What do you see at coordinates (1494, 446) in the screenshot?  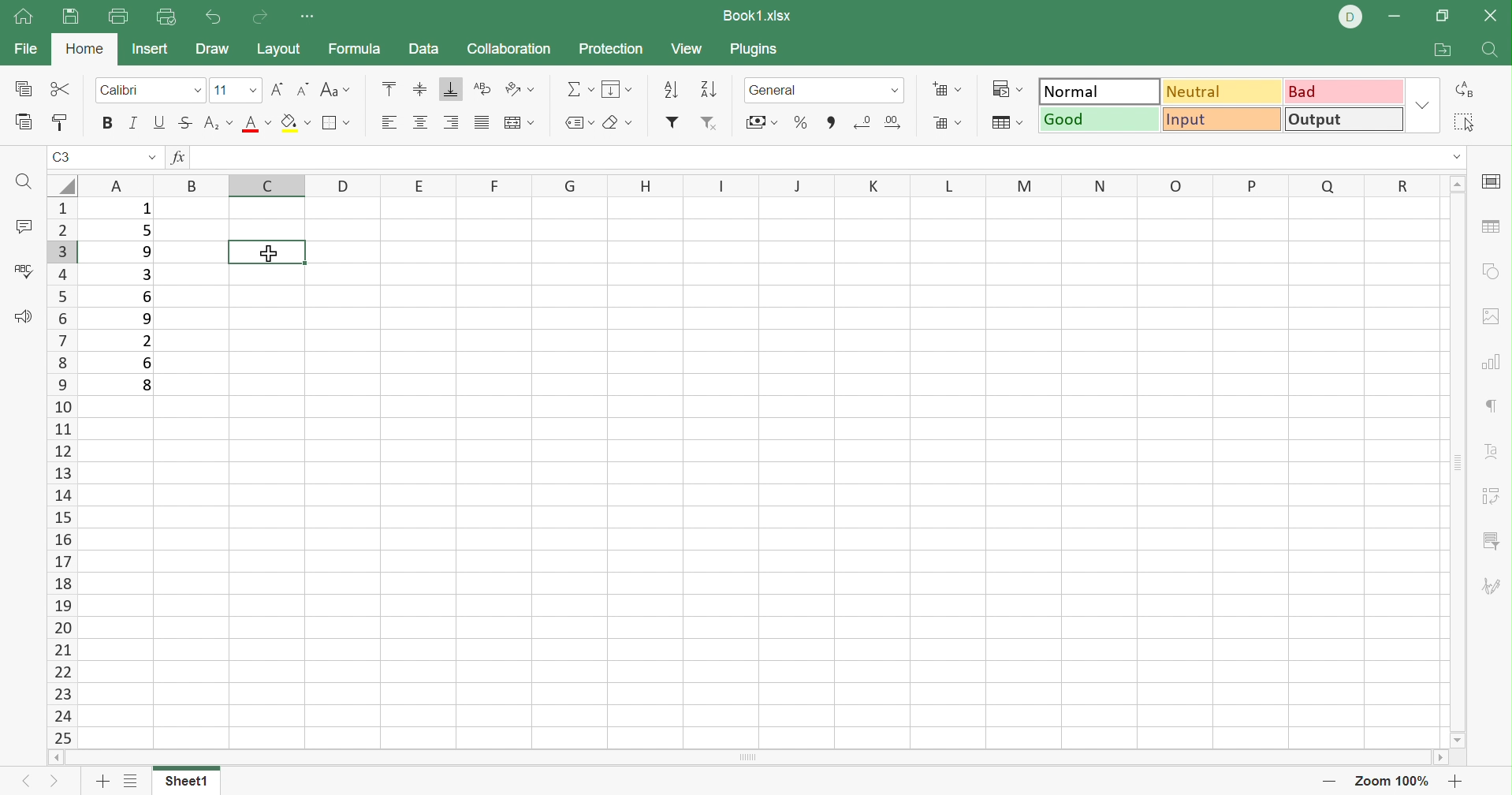 I see `Text Art settings` at bounding box center [1494, 446].